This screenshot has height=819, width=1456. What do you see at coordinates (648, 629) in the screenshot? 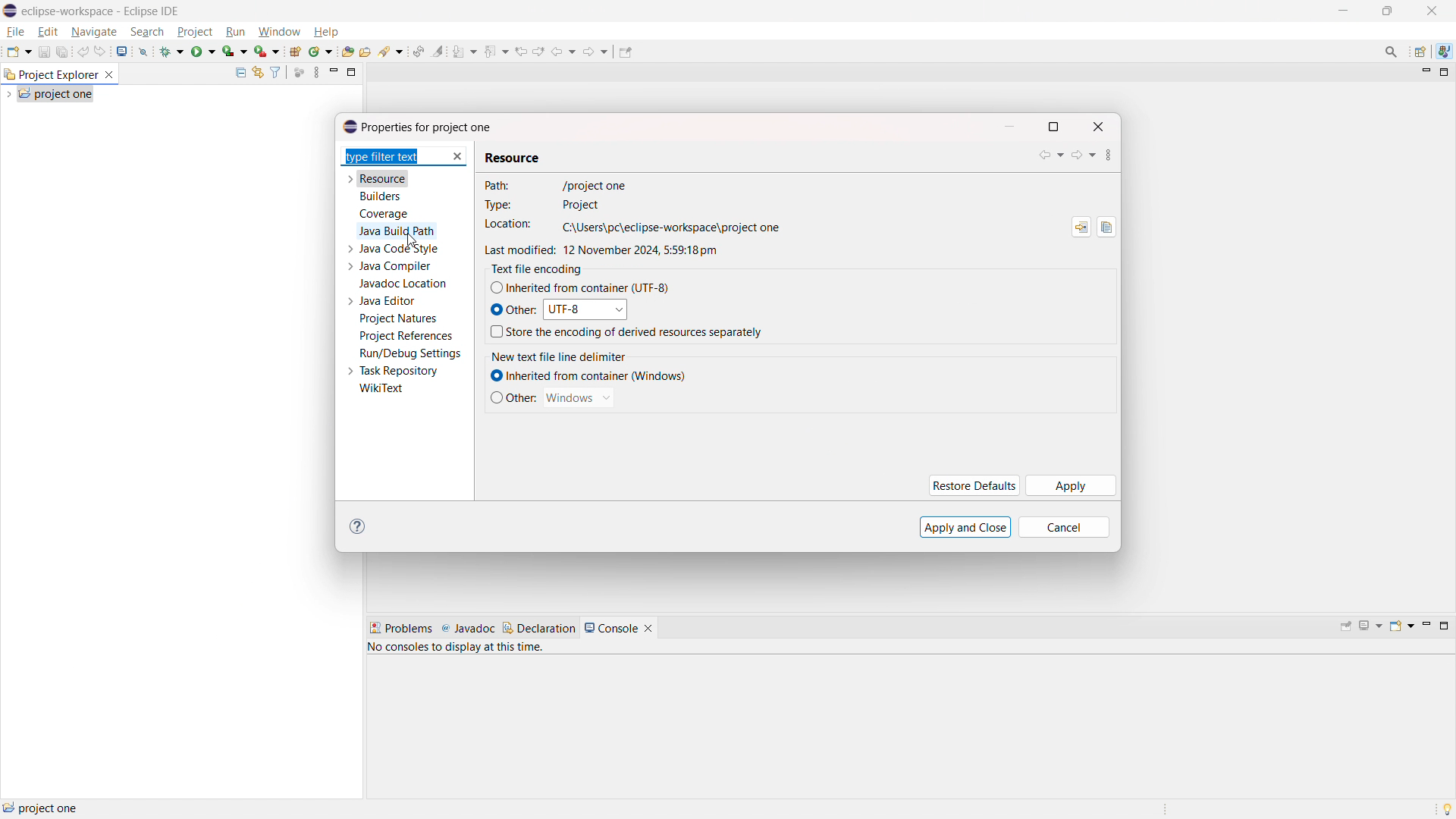
I see `close console` at bounding box center [648, 629].